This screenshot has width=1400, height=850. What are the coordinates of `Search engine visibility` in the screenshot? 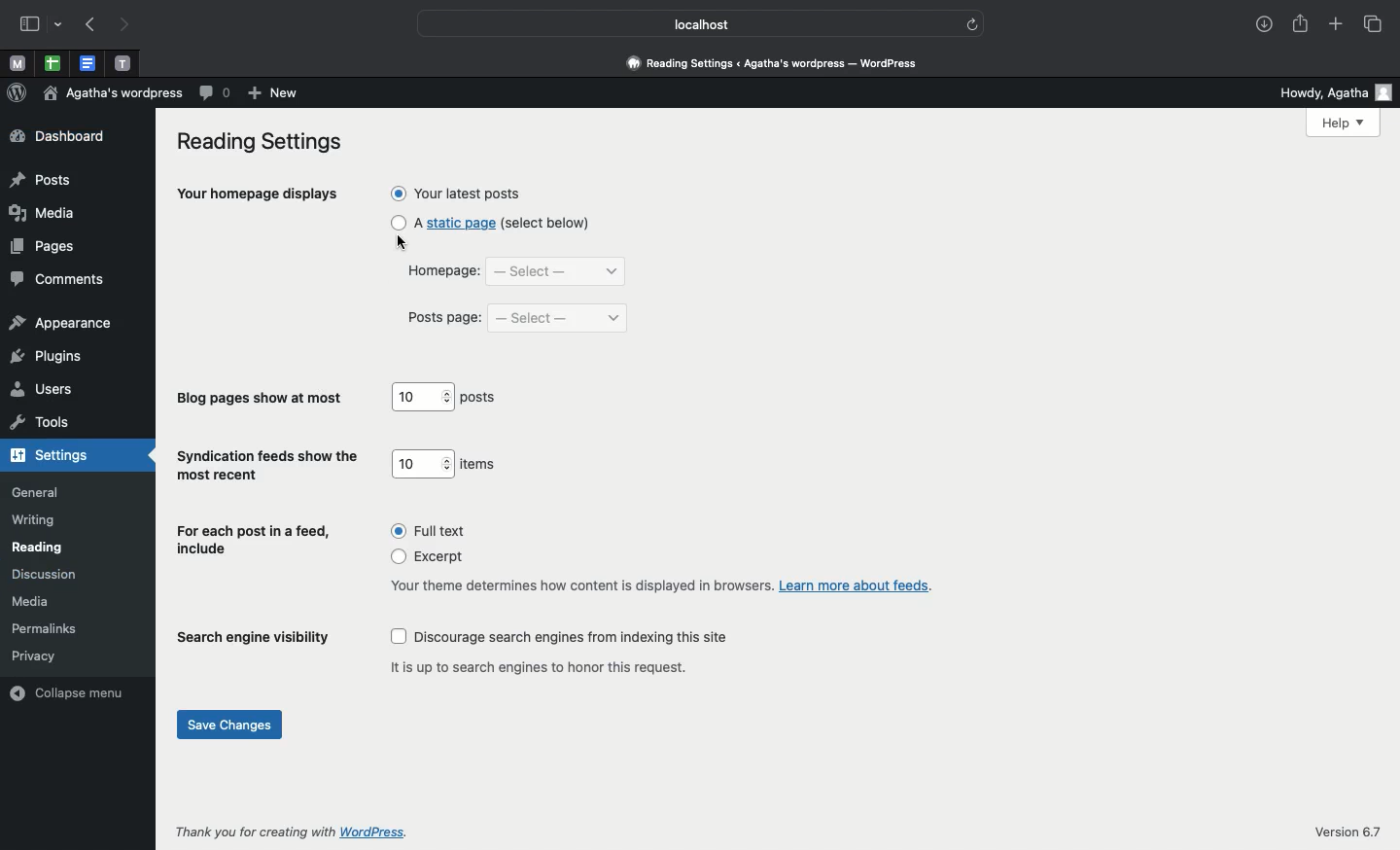 It's located at (254, 642).